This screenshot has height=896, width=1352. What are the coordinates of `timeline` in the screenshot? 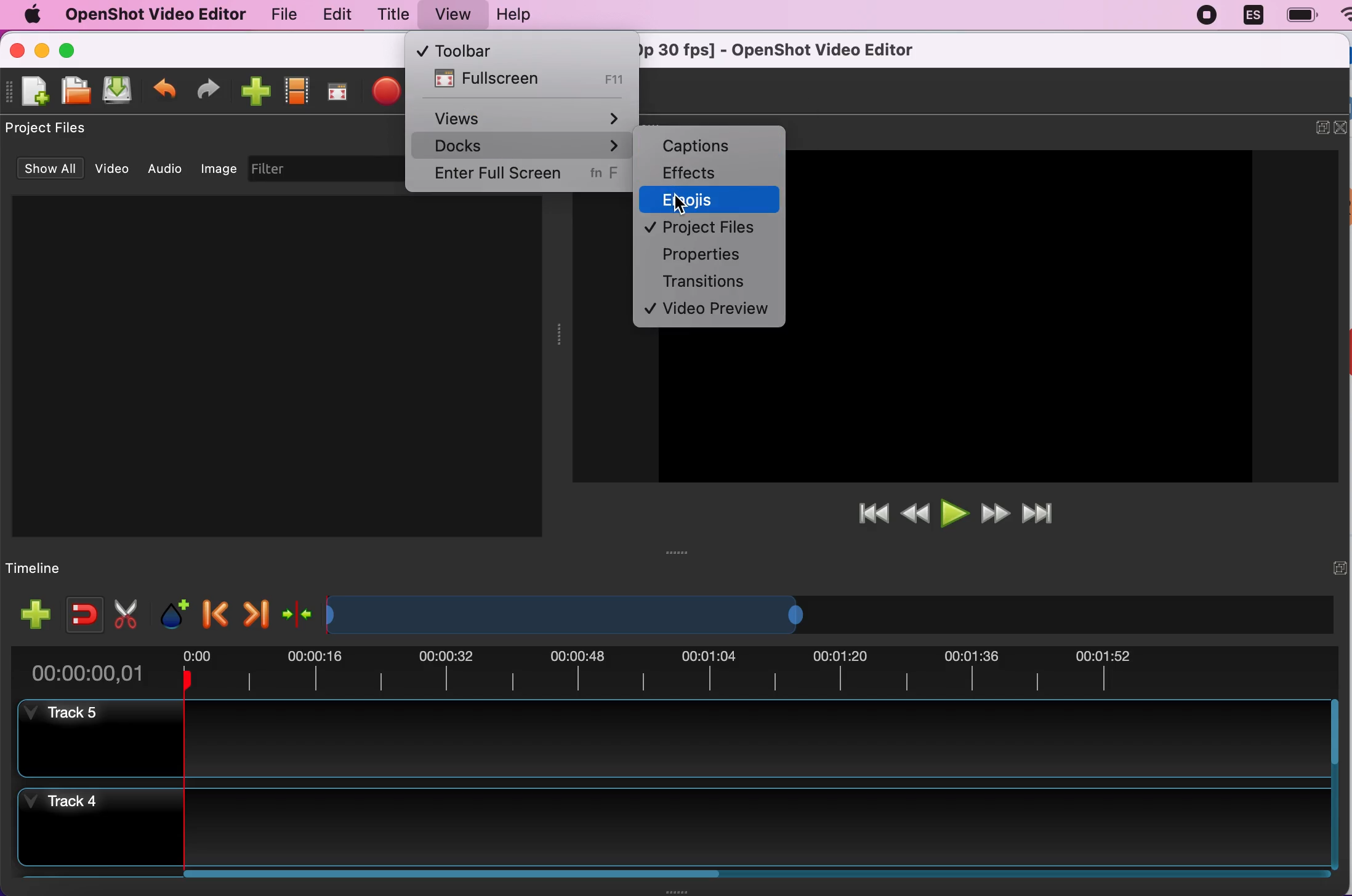 It's located at (40, 569).